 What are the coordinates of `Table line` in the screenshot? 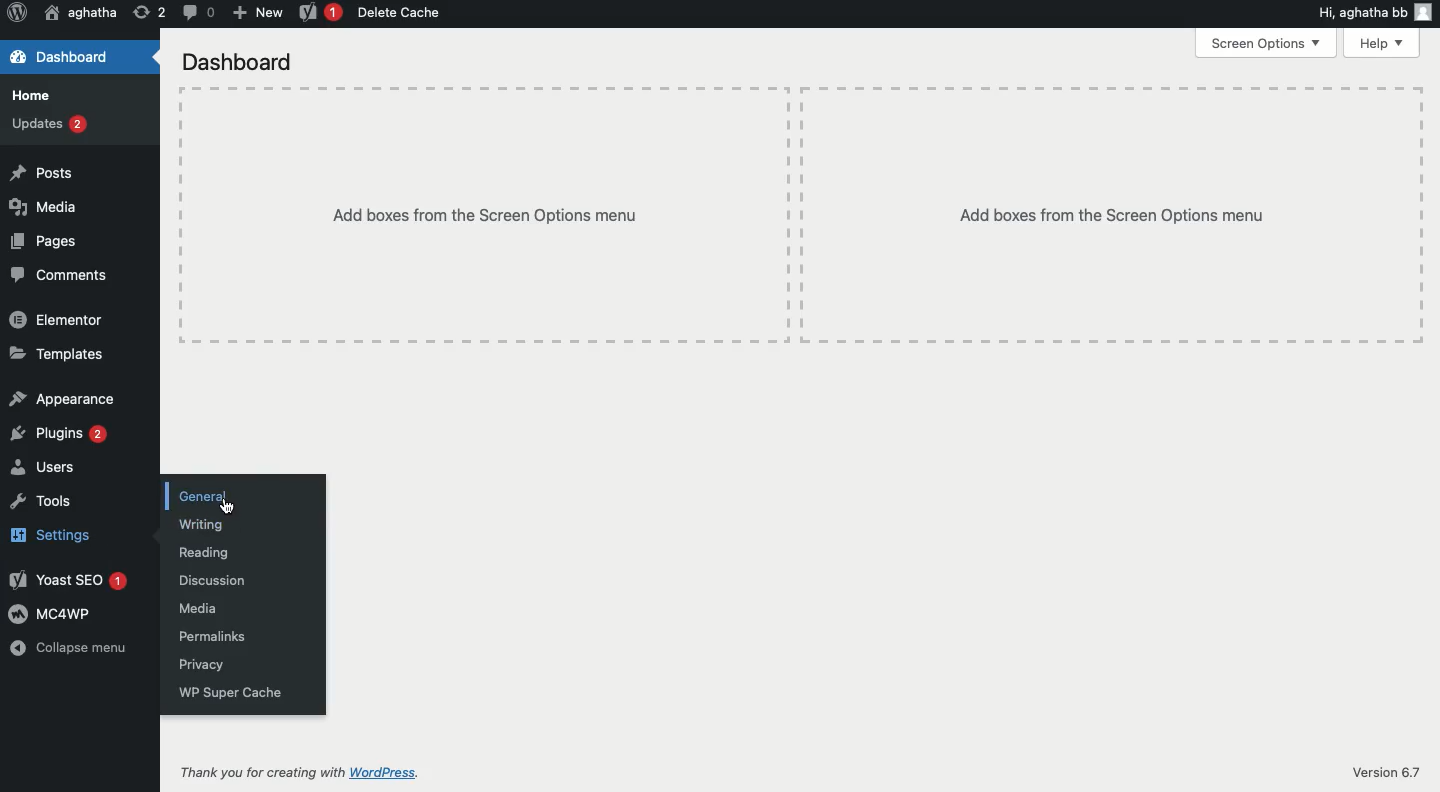 It's located at (182, 213).